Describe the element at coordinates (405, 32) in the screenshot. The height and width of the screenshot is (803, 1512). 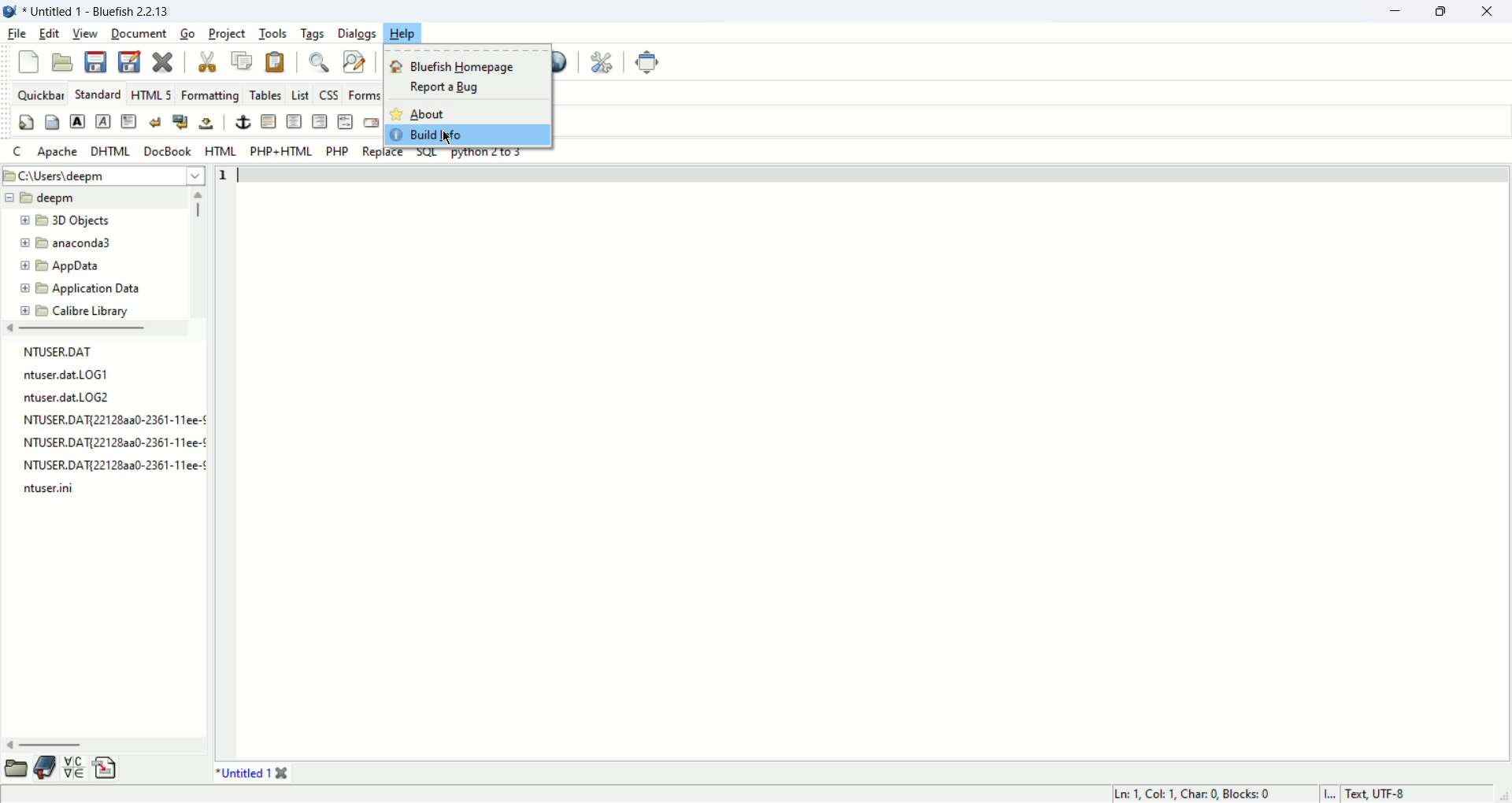
I see `help` at that location.